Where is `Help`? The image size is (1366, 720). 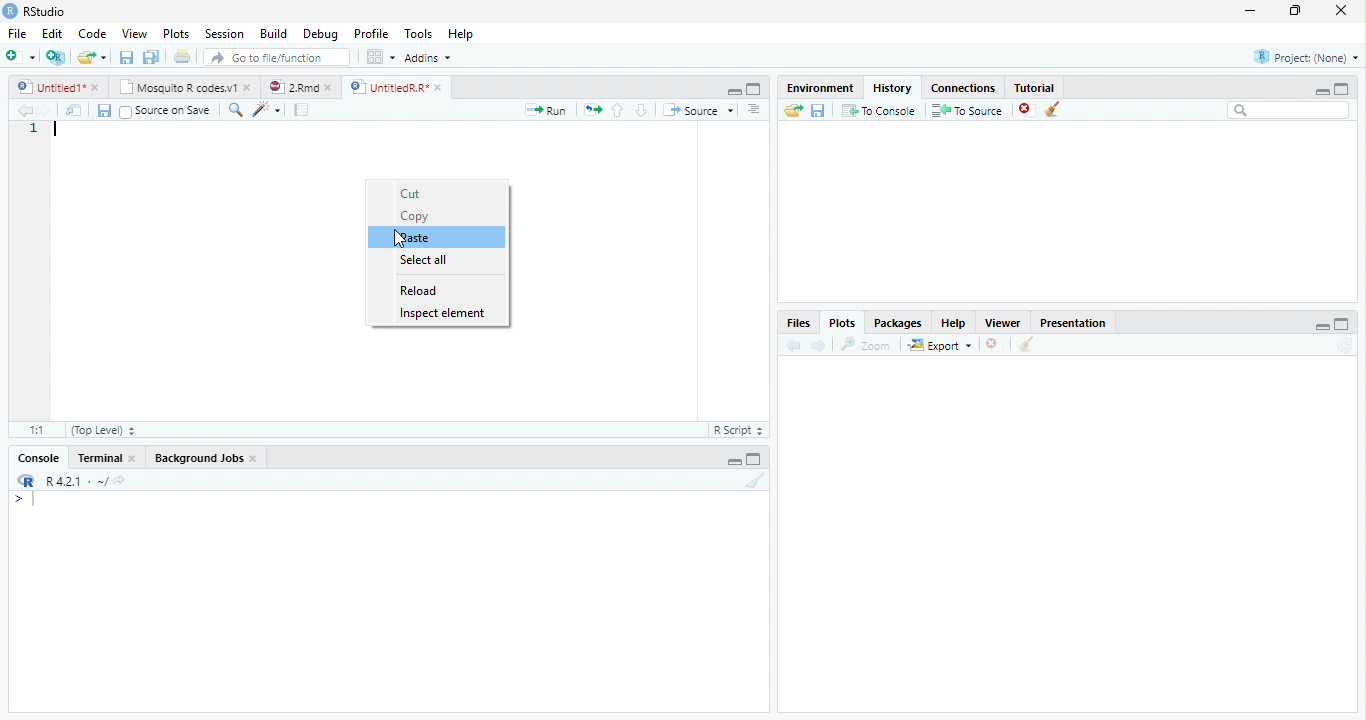 Help is located at coordinates (460, 35).